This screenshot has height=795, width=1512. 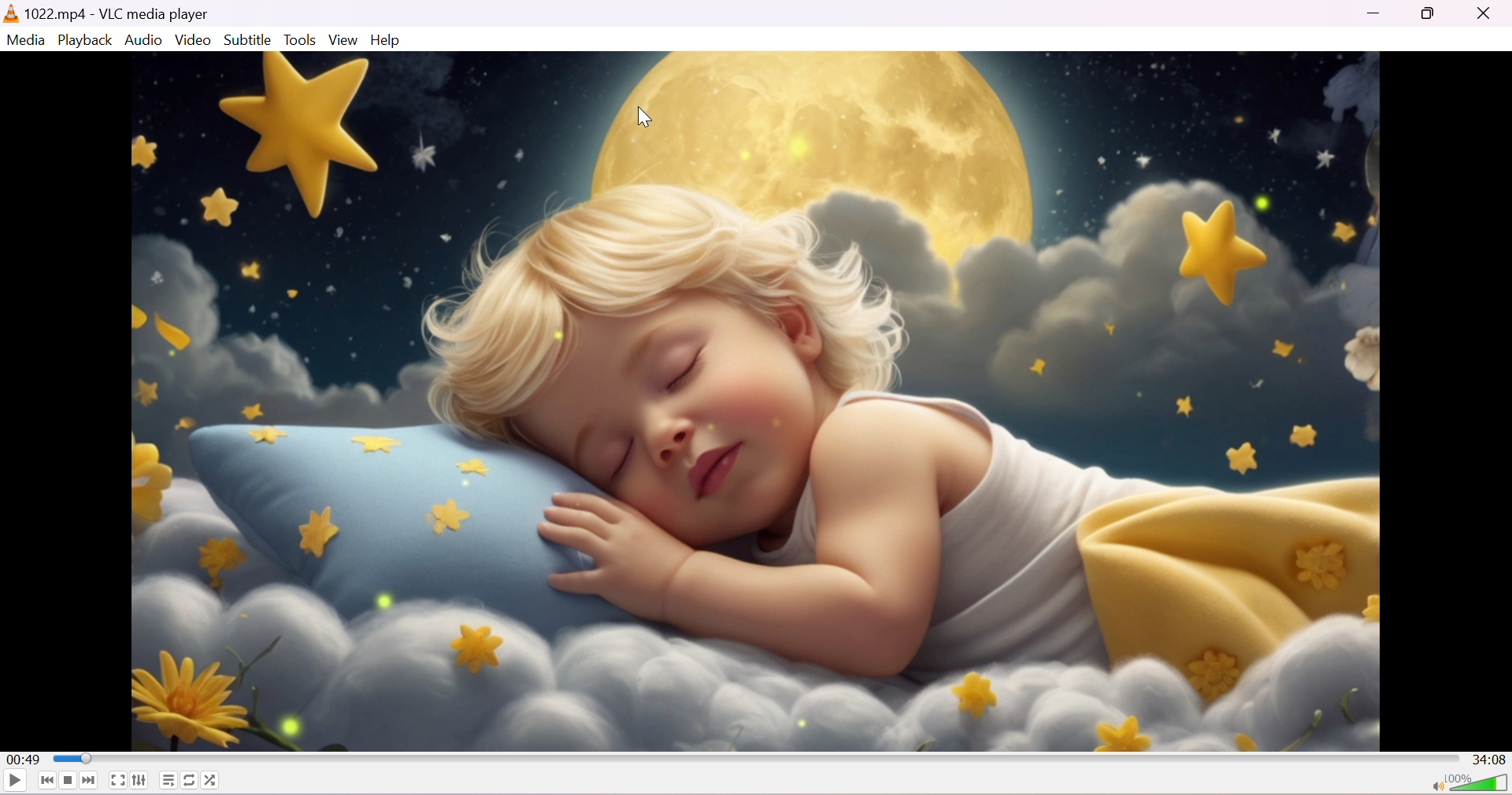 What do you see at coordinates (71, 781) in the screenshot?
I see `Stop playback` at bounding box center [71, 781].